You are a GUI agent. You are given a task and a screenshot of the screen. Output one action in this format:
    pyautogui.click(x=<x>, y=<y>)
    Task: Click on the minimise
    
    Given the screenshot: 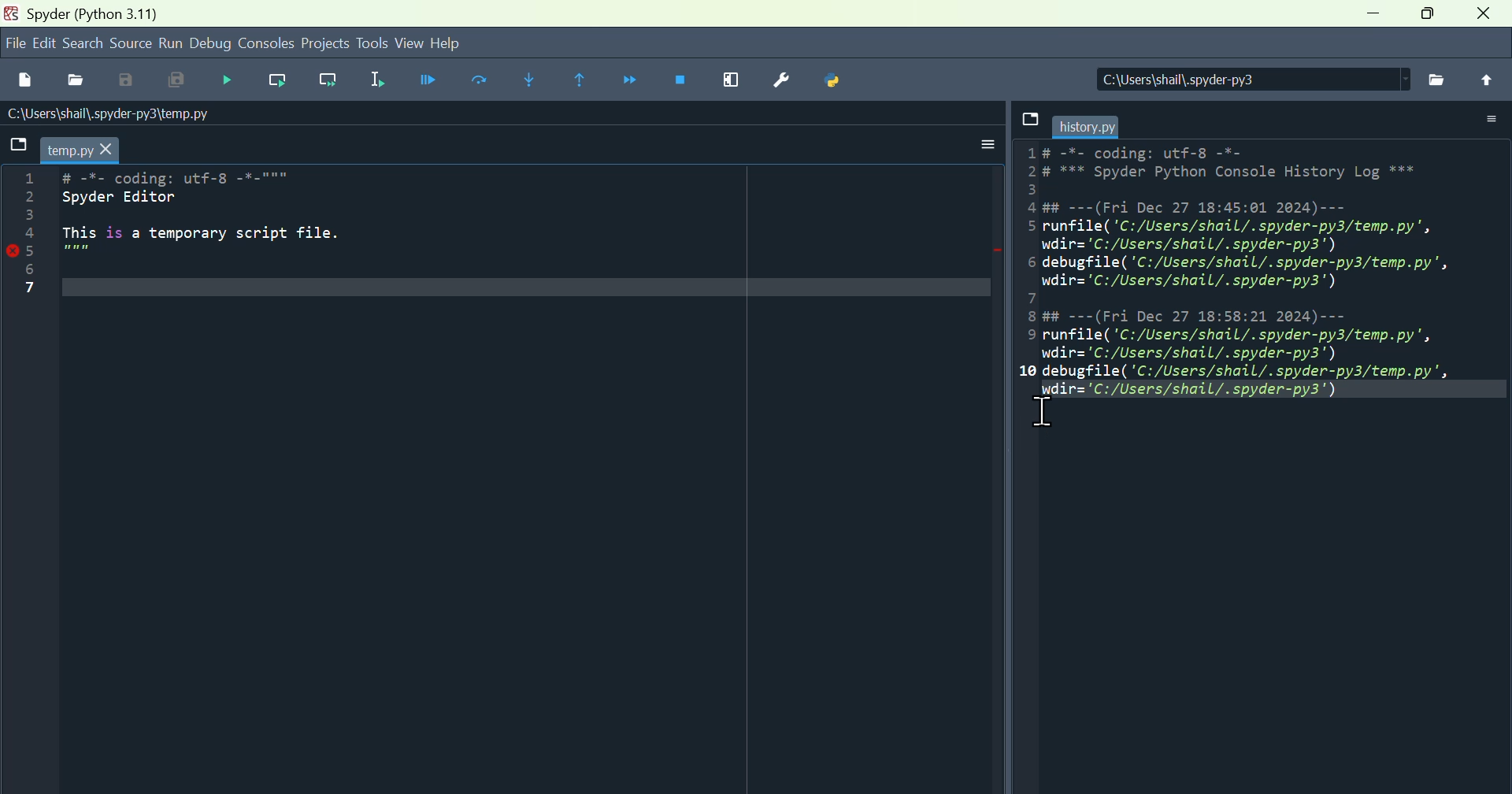 What is the action you would take?
    pyautogui.click(x=1369, y=14)
    